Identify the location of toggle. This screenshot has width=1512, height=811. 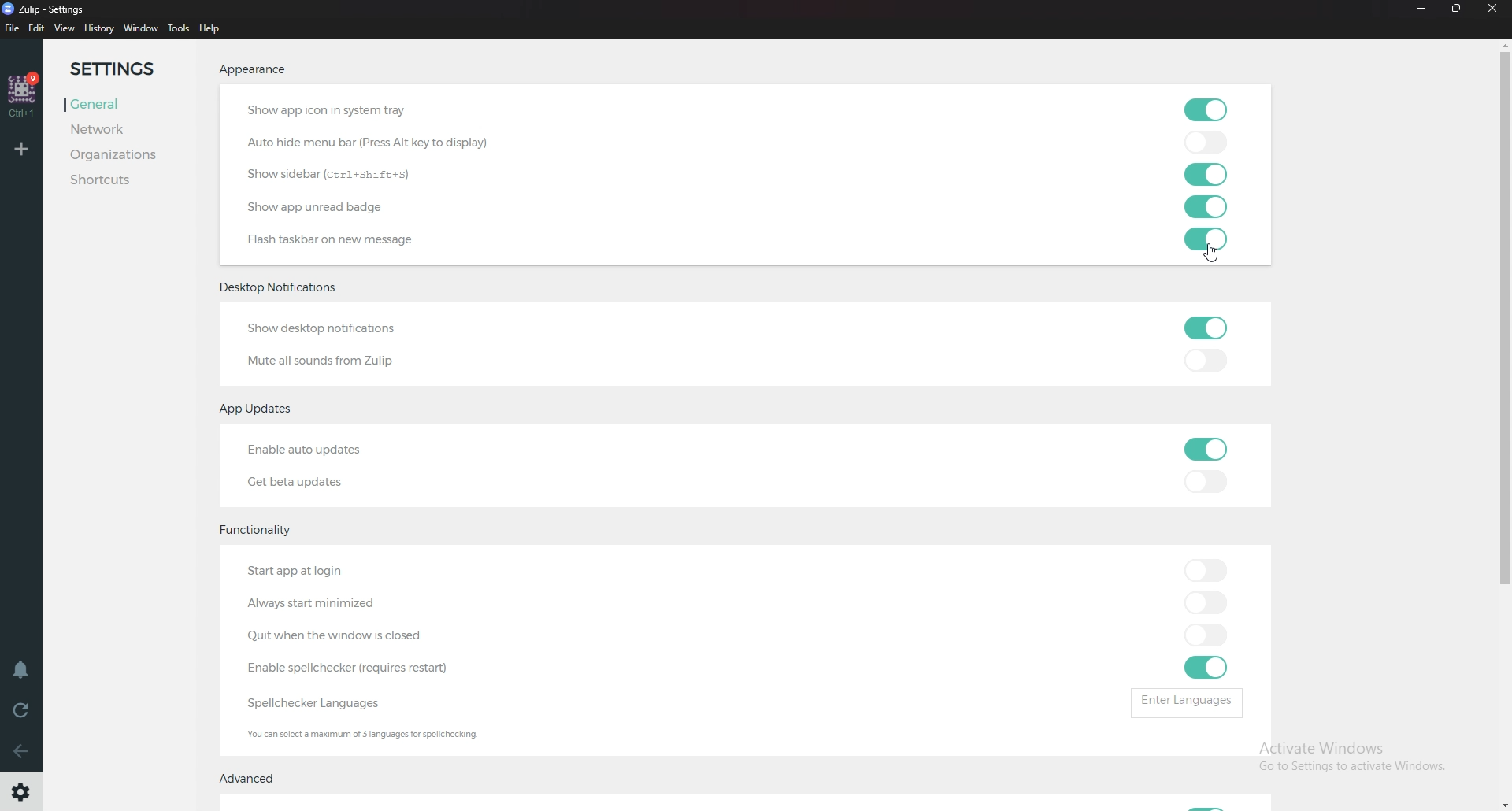
(1207, 110).